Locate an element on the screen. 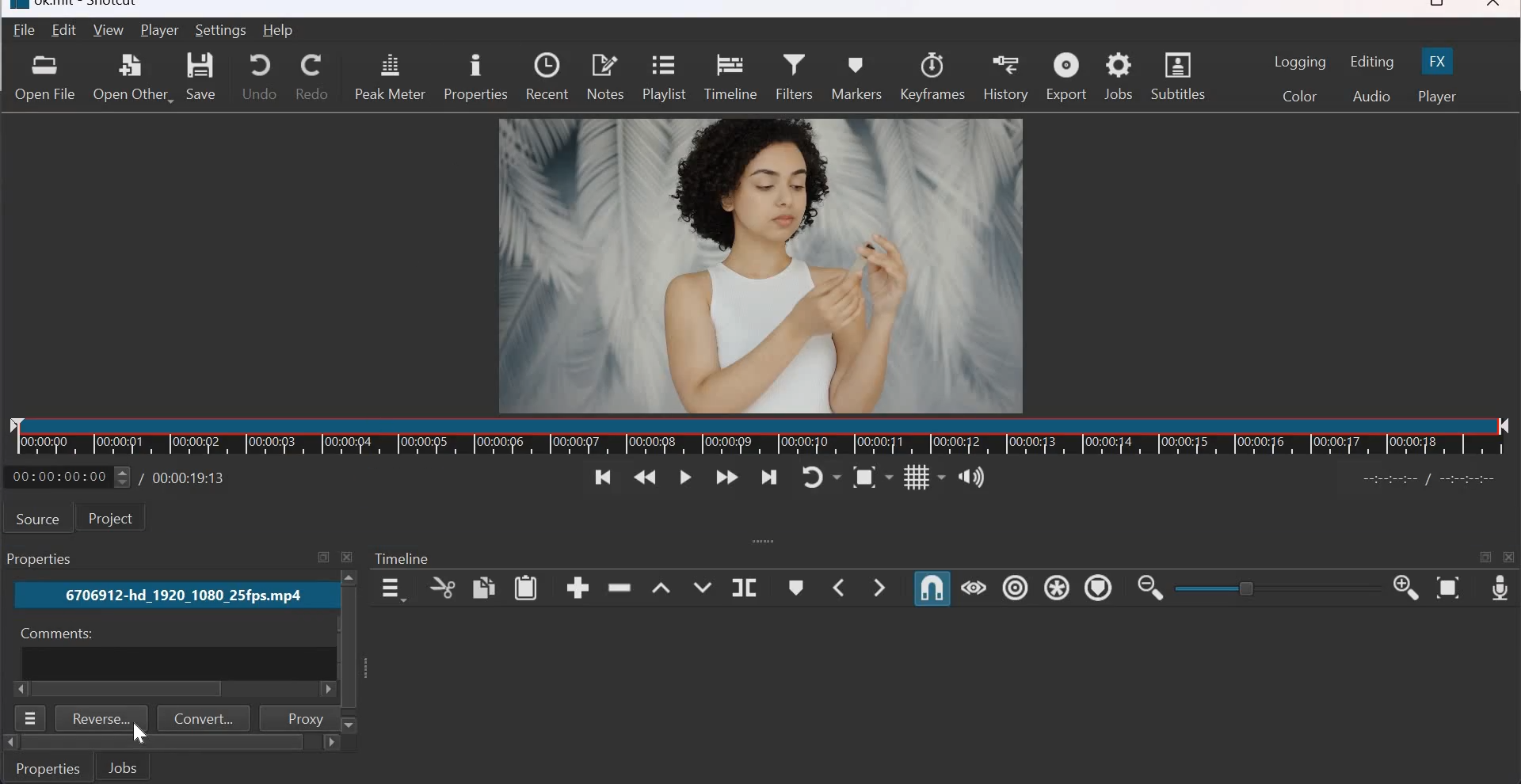 This screenshot has width=1521, height=784. Play quickly forwards is located at coordinates (727, 479).